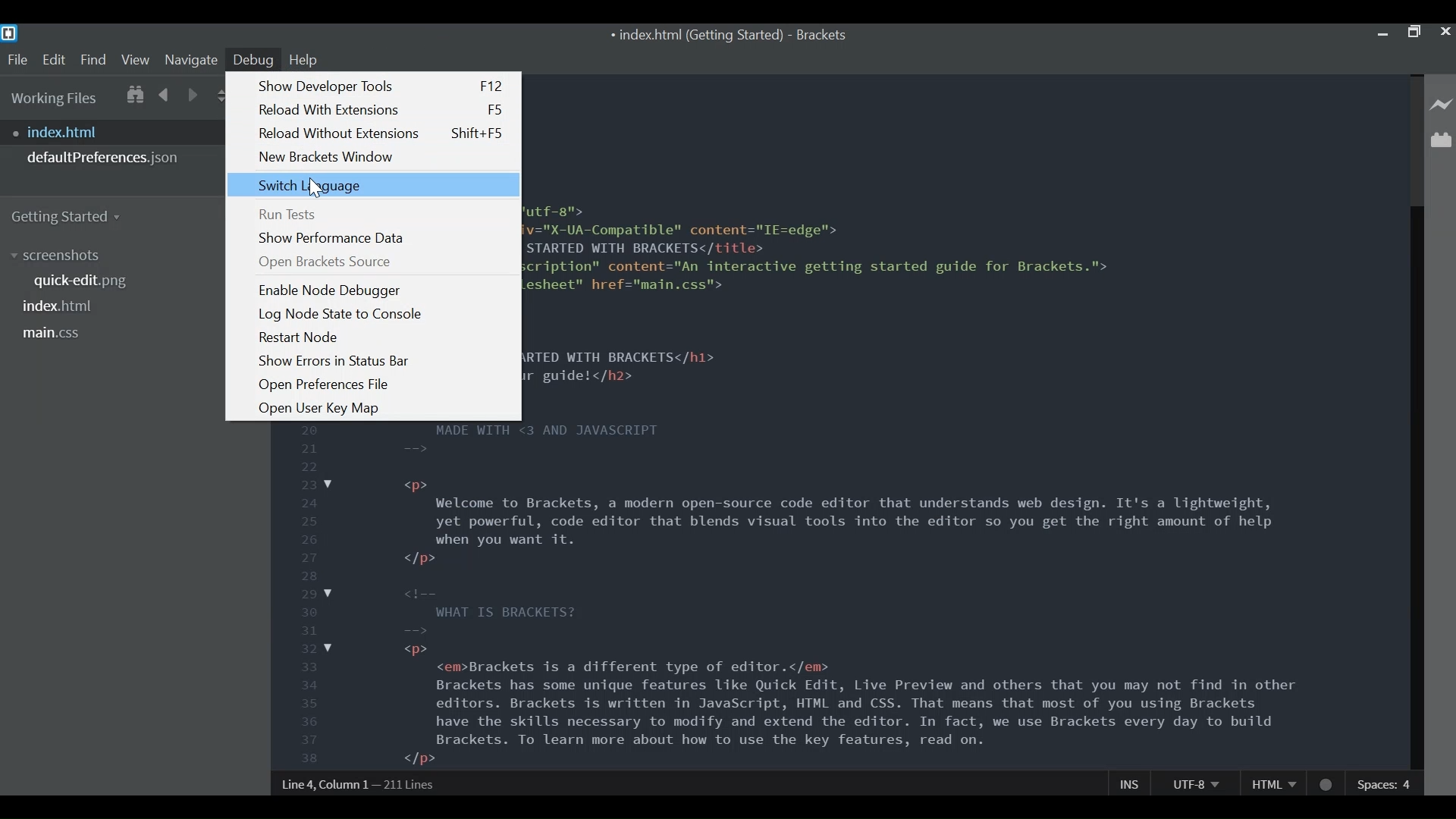 The image size is (1456, 819). I want to click on Show in File Tree, so click(133, 93).